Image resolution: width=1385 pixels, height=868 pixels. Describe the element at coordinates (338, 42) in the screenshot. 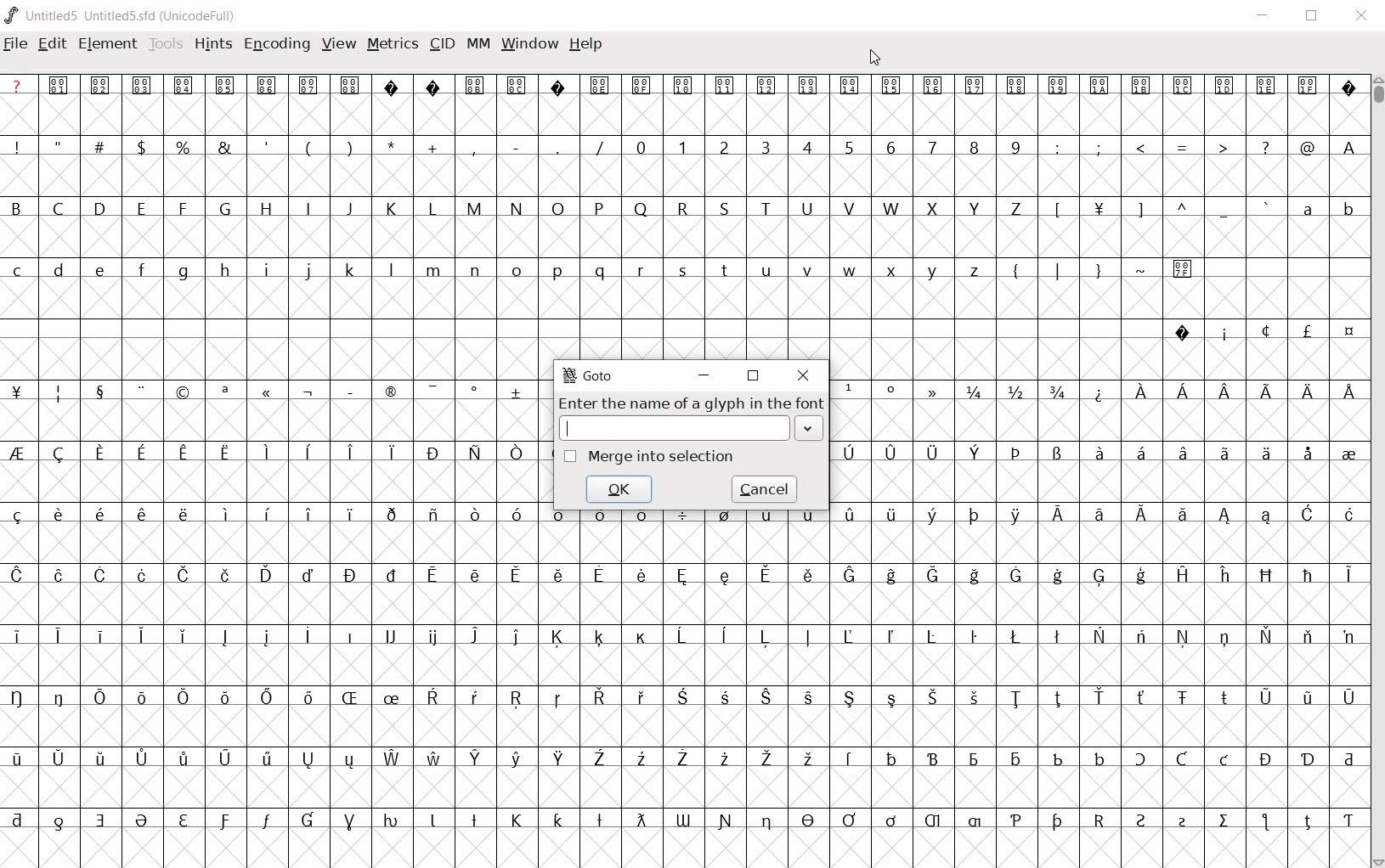

I see `VIEW` at that location.